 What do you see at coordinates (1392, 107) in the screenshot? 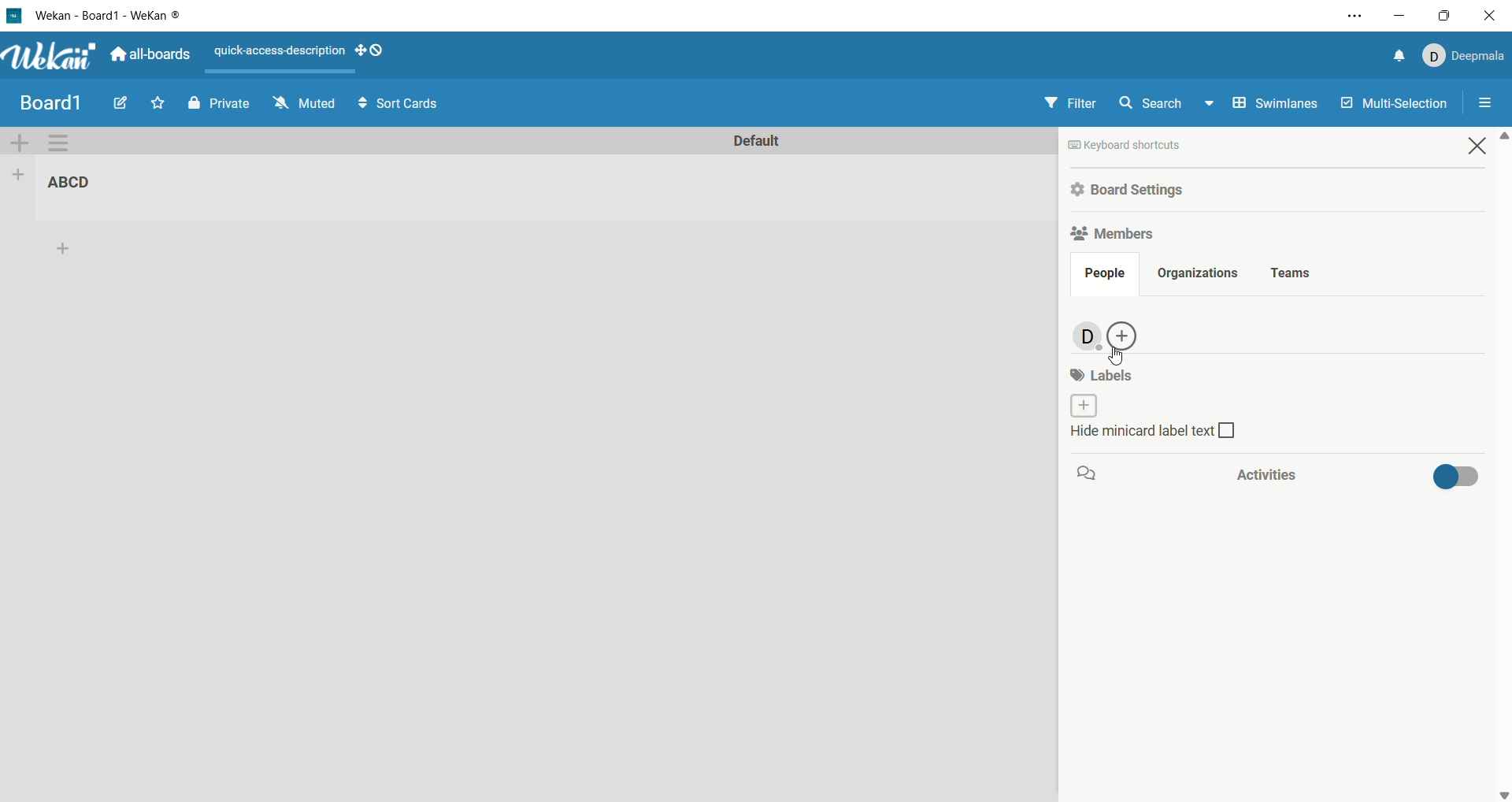
I see `multi-function` at bounding box center [1392, 107].